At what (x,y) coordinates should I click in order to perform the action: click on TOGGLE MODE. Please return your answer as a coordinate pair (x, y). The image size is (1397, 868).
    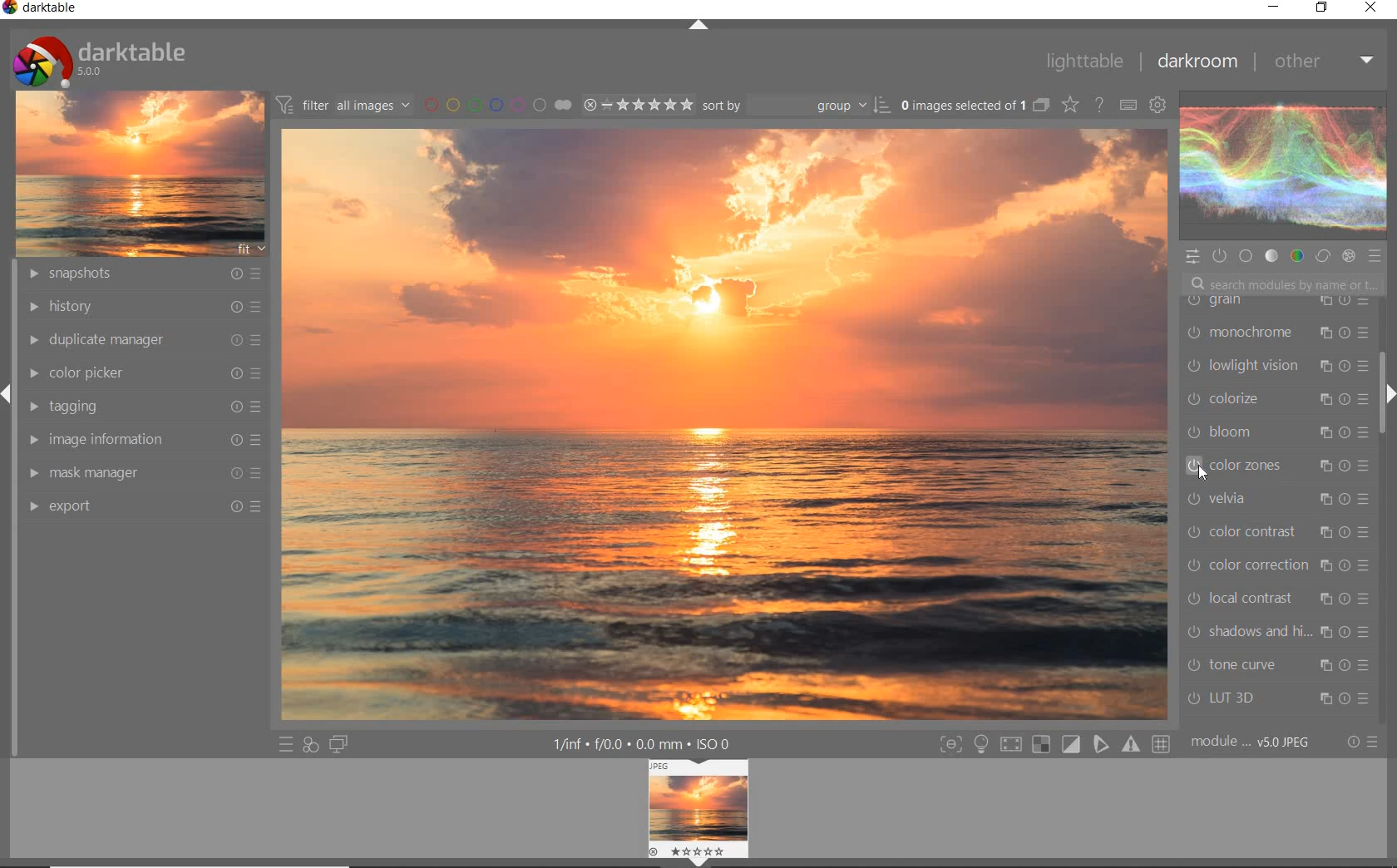
    Looking at the image, I should click on (1054, 744).